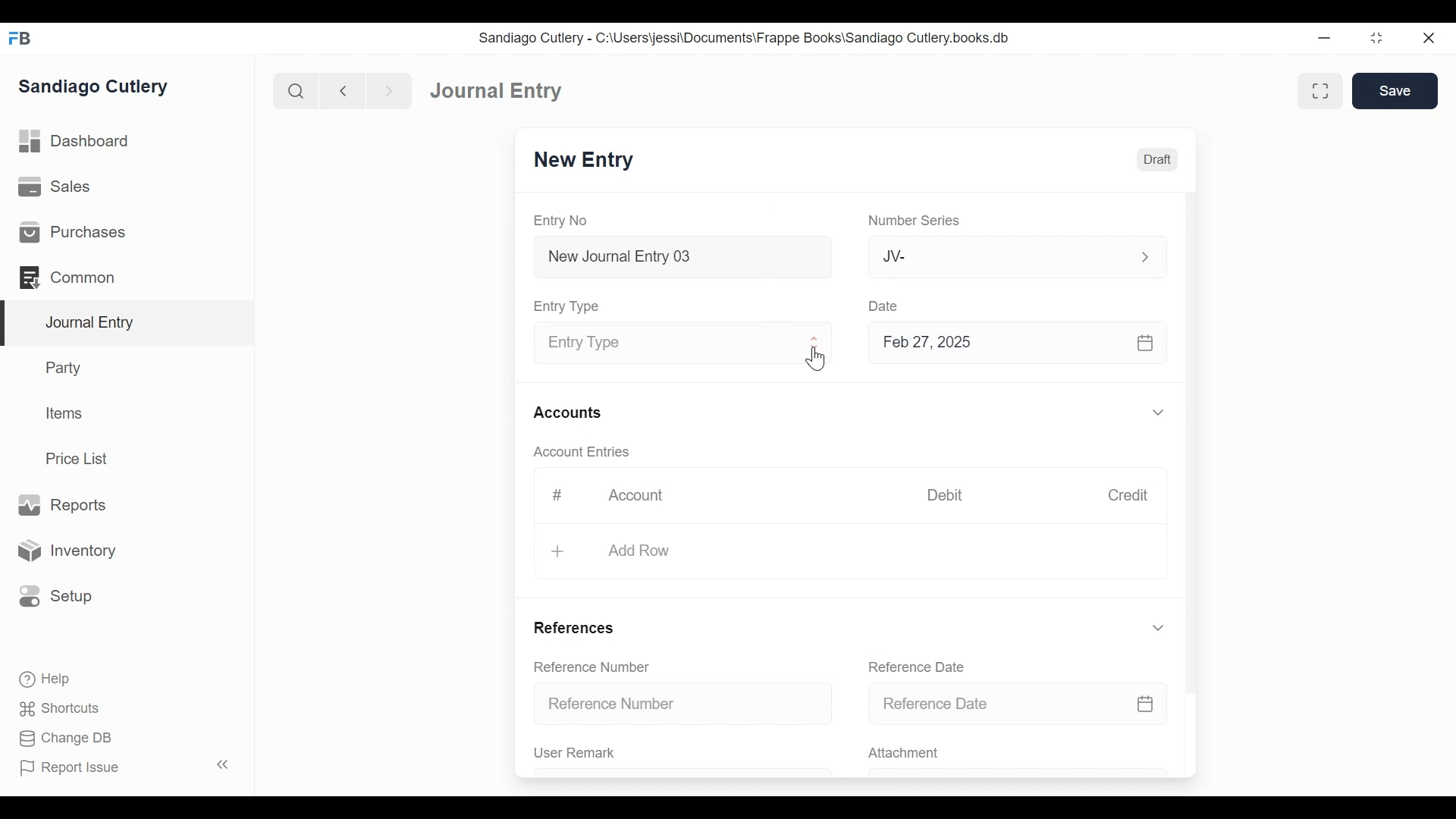  Describe the element at coordinates (80, 458) in the screenshot. I see `Price List` at that location.